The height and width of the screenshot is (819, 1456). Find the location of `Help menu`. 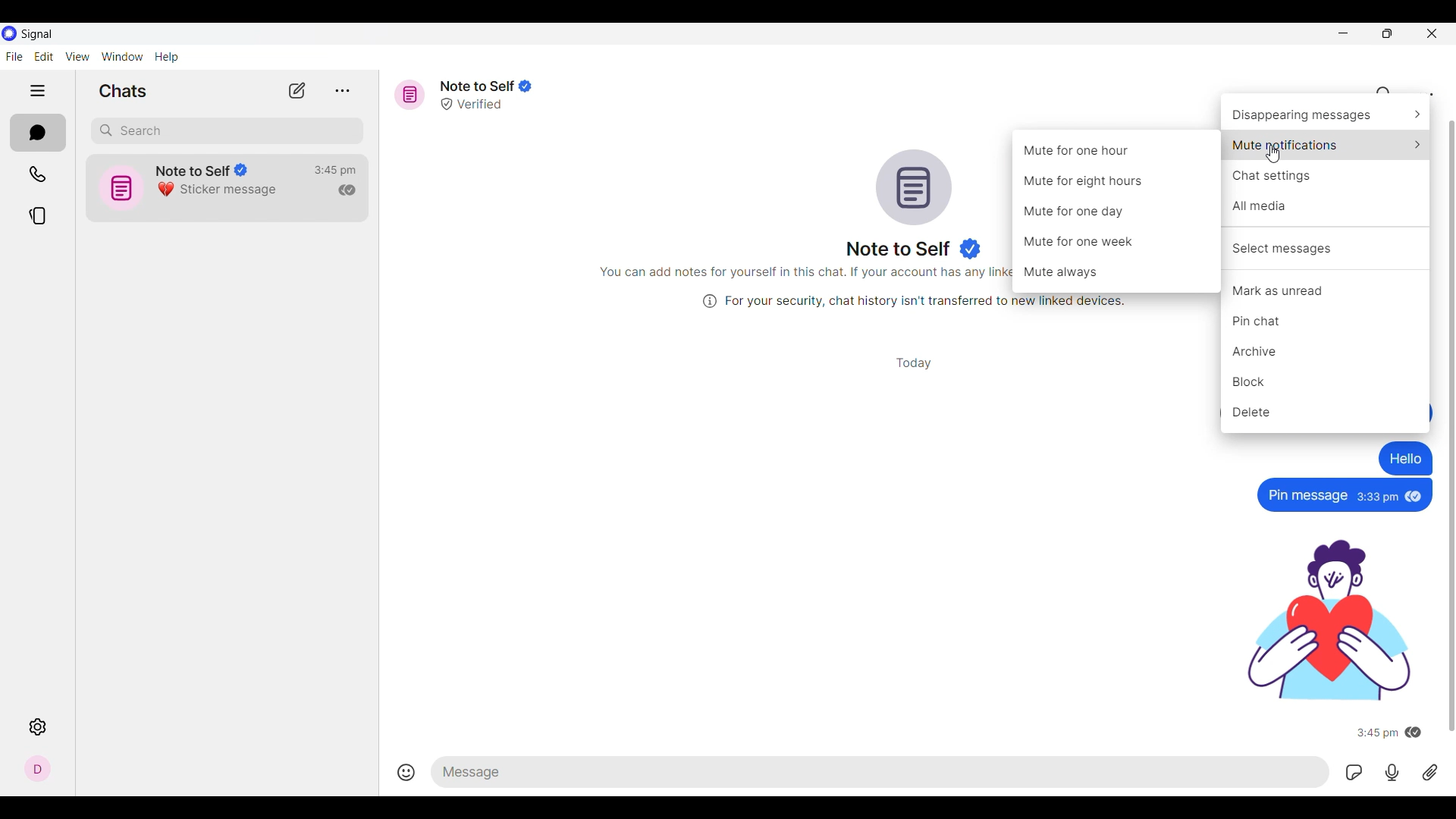

Help menu is located at coordinates (167, 57).